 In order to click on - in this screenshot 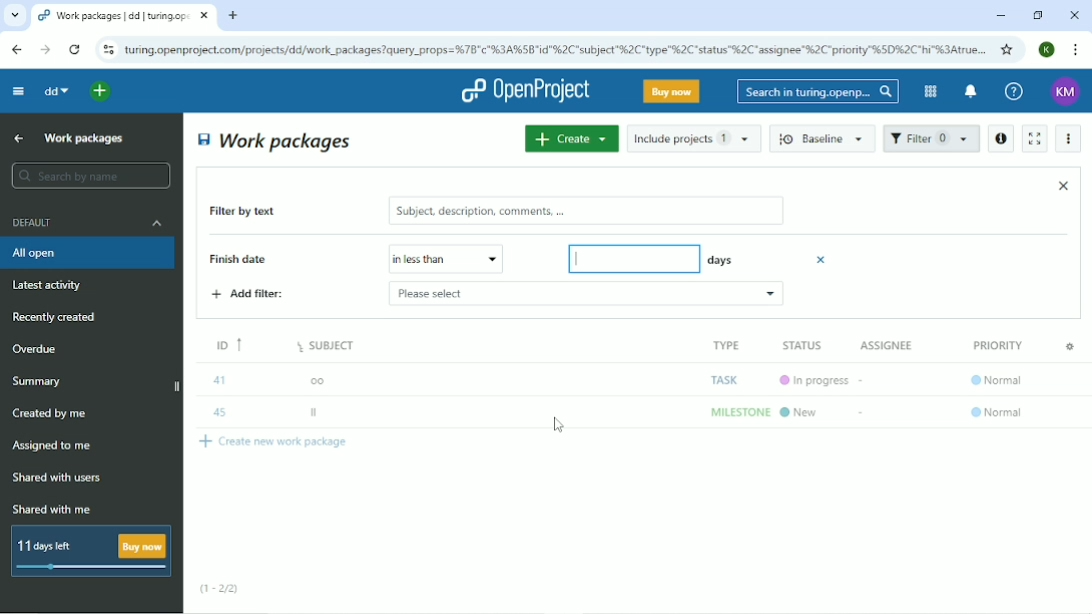, I will do `click(863, 385)`.